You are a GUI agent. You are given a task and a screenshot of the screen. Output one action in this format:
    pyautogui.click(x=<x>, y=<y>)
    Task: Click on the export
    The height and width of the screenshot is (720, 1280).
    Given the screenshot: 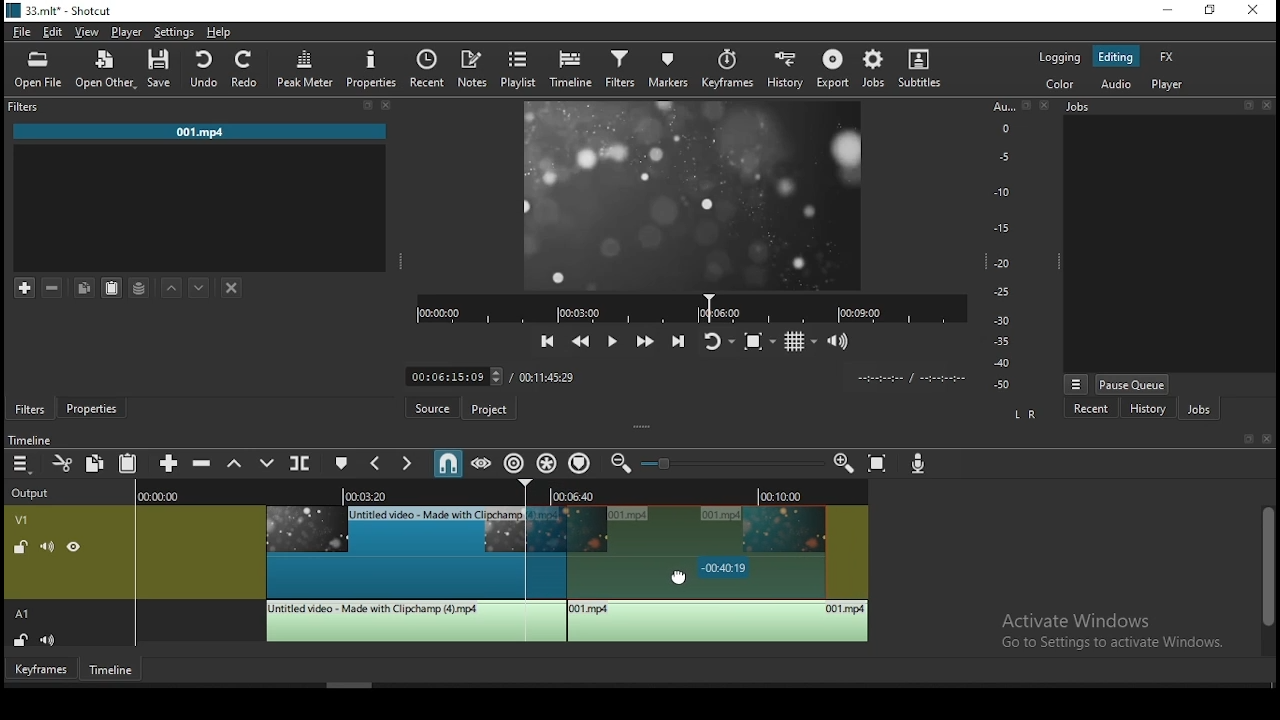 What is the action you would take?
    pyautogui.click(x=835, y=69)
    